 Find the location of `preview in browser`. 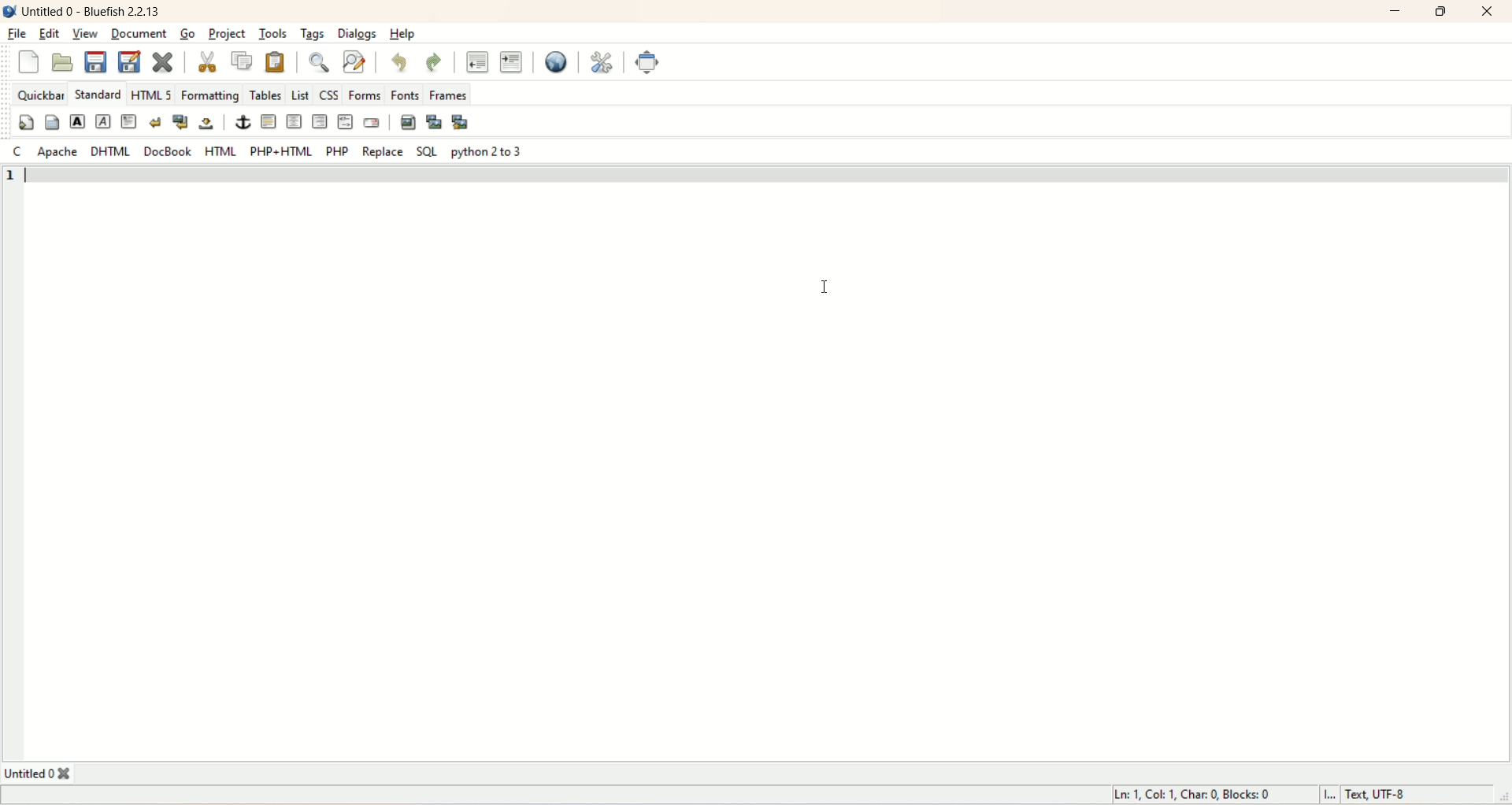

preview in browser is located at coordinates (560, 62).